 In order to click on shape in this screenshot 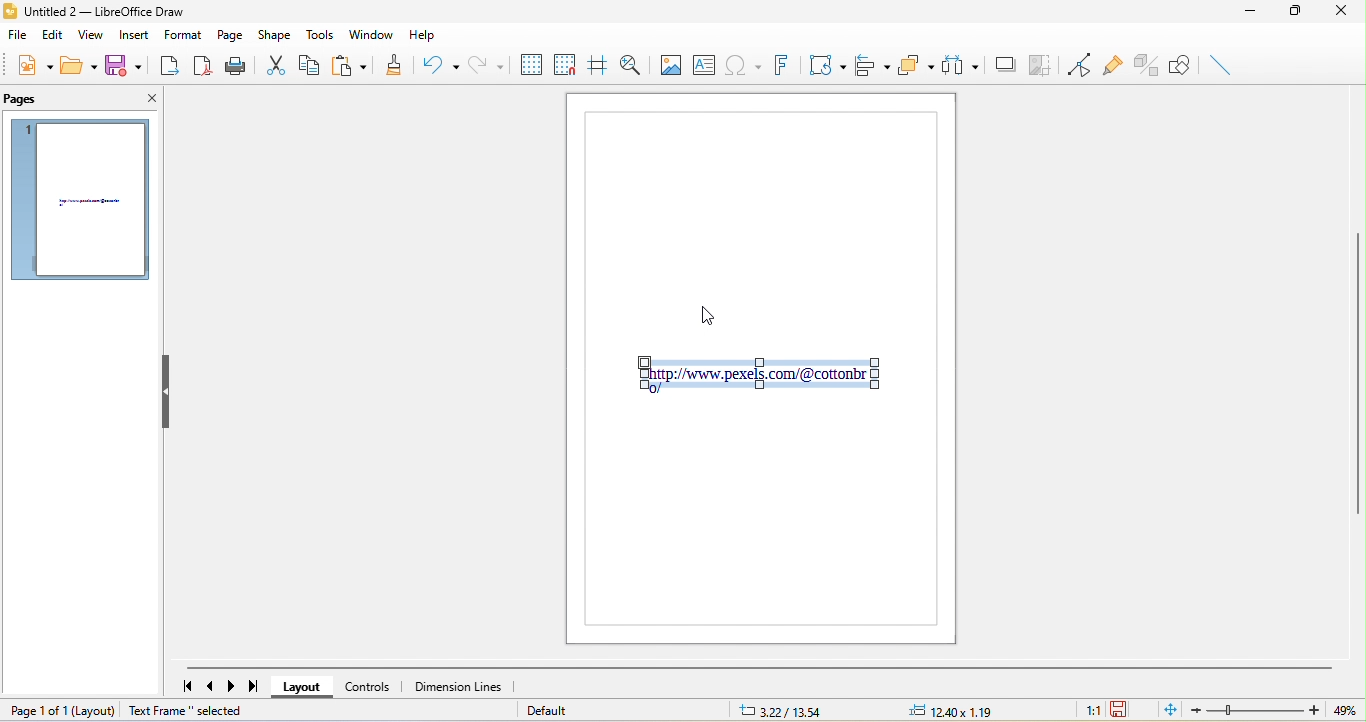, I will do `click(274, 35)`.